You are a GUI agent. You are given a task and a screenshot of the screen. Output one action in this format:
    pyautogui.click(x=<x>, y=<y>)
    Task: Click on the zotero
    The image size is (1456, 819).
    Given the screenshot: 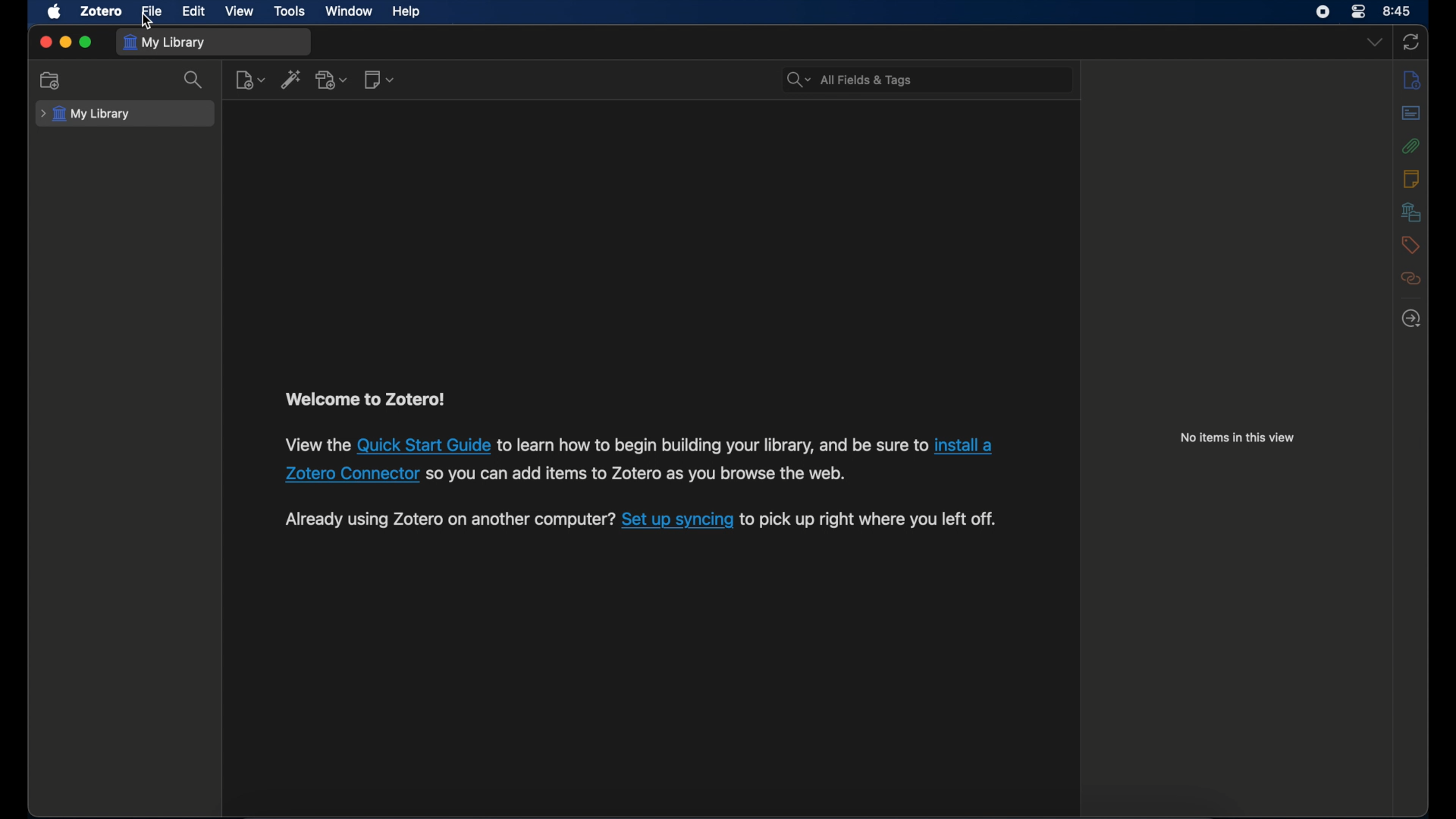 What is the action you would take?
    pyautogui.click(x=99, y=11)
    